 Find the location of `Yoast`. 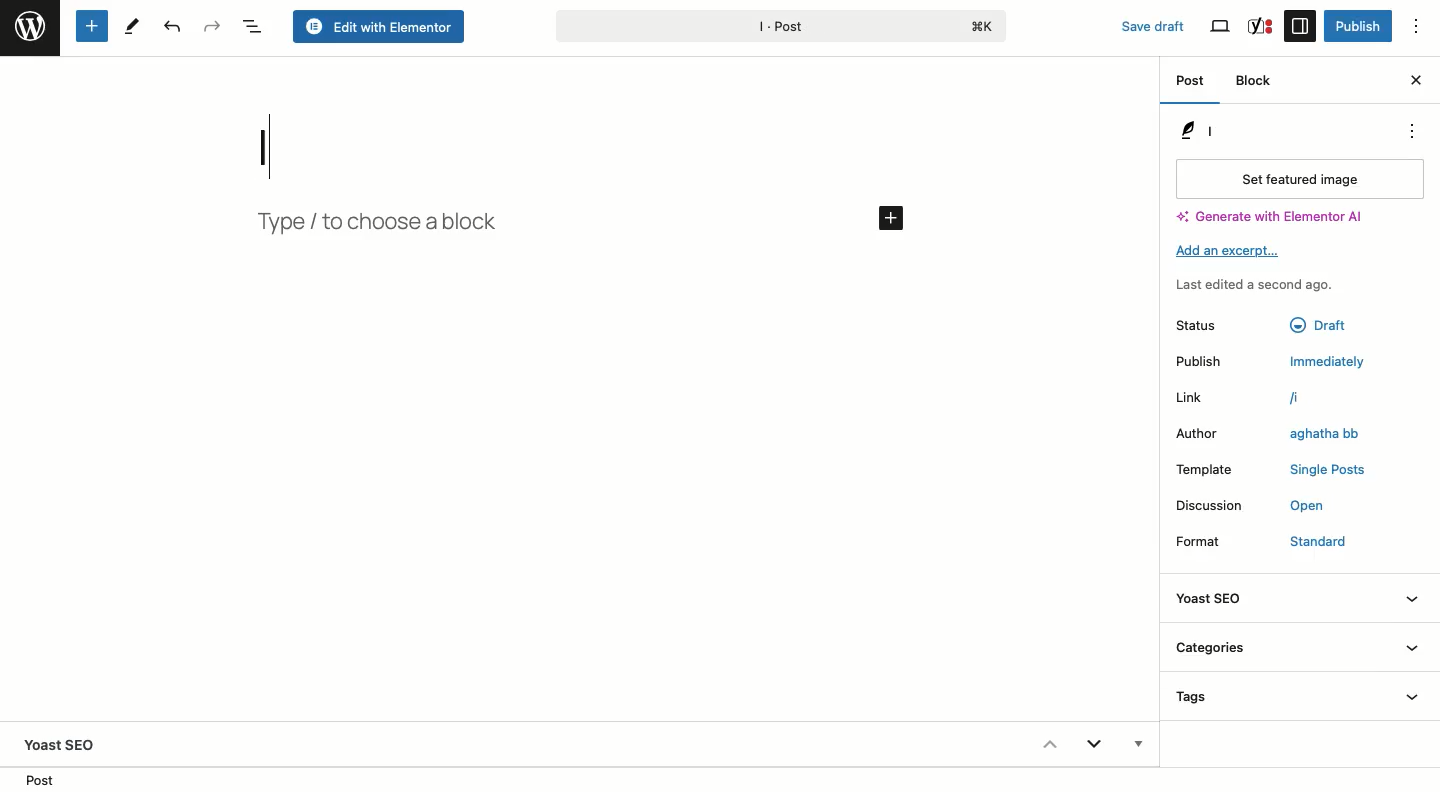

Yoast is located at coordinates (1259, 25).